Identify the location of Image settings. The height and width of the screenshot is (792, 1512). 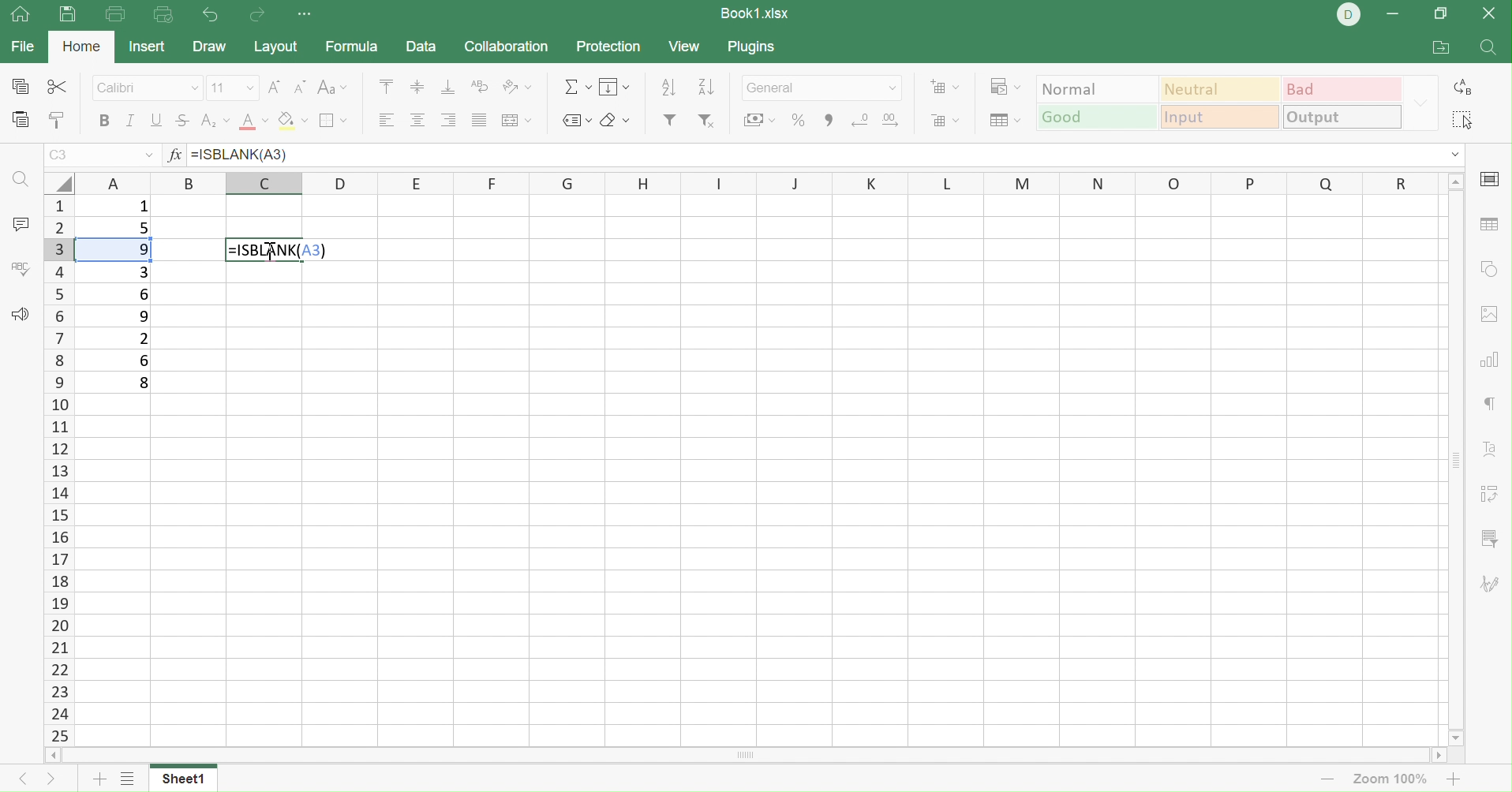
(1489, 313).